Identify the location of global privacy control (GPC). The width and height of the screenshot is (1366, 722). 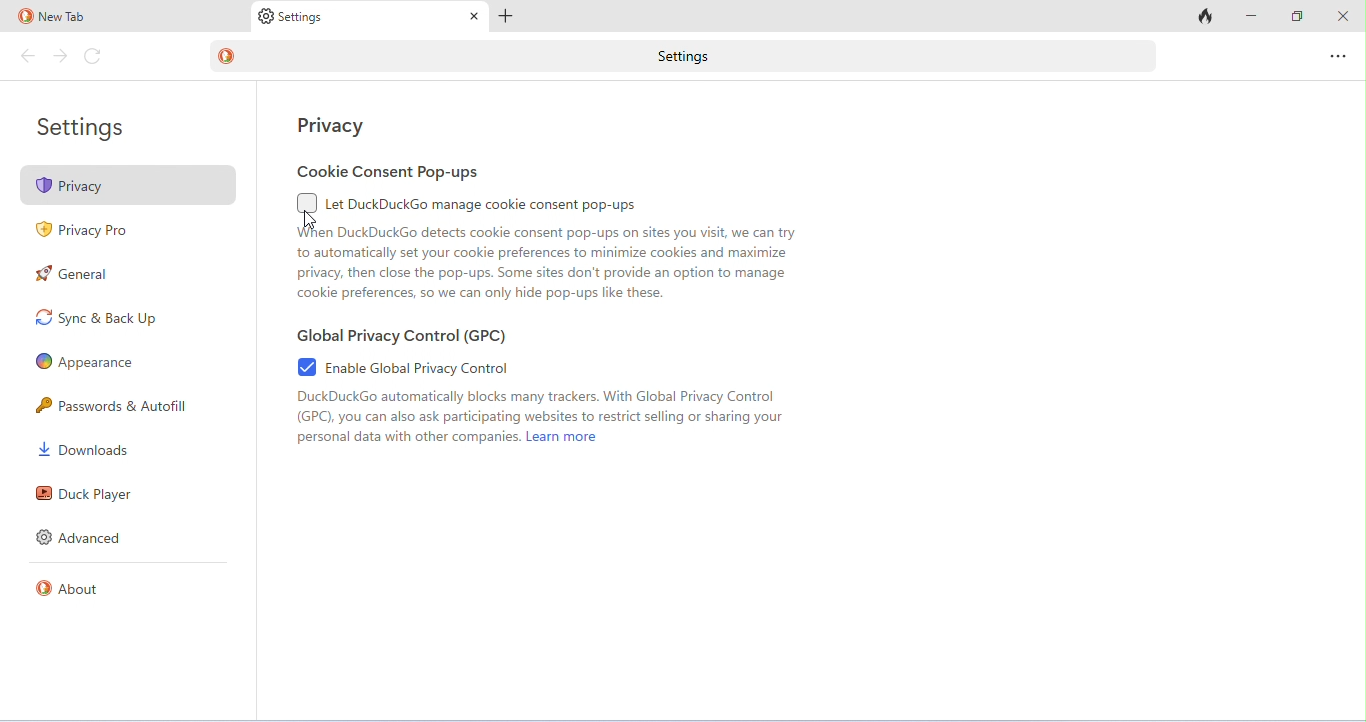
(401, 336).